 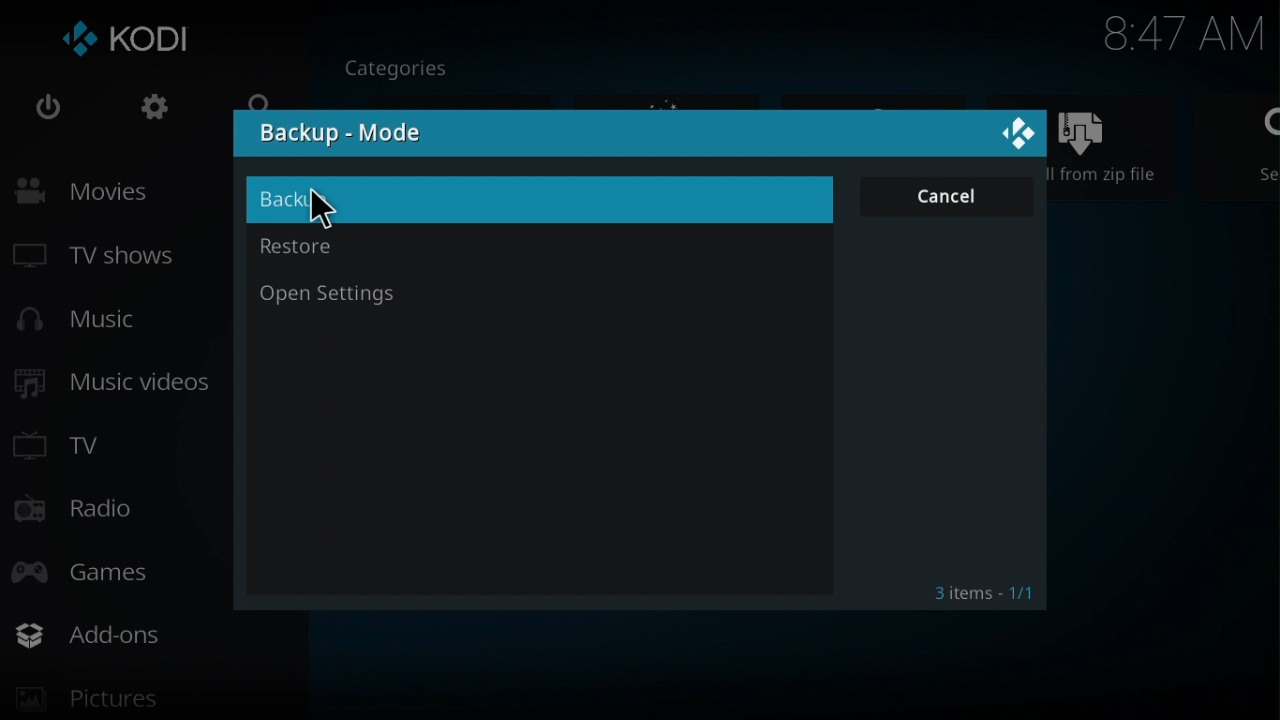 I want to click on cursor, so click(x=323, y=210).